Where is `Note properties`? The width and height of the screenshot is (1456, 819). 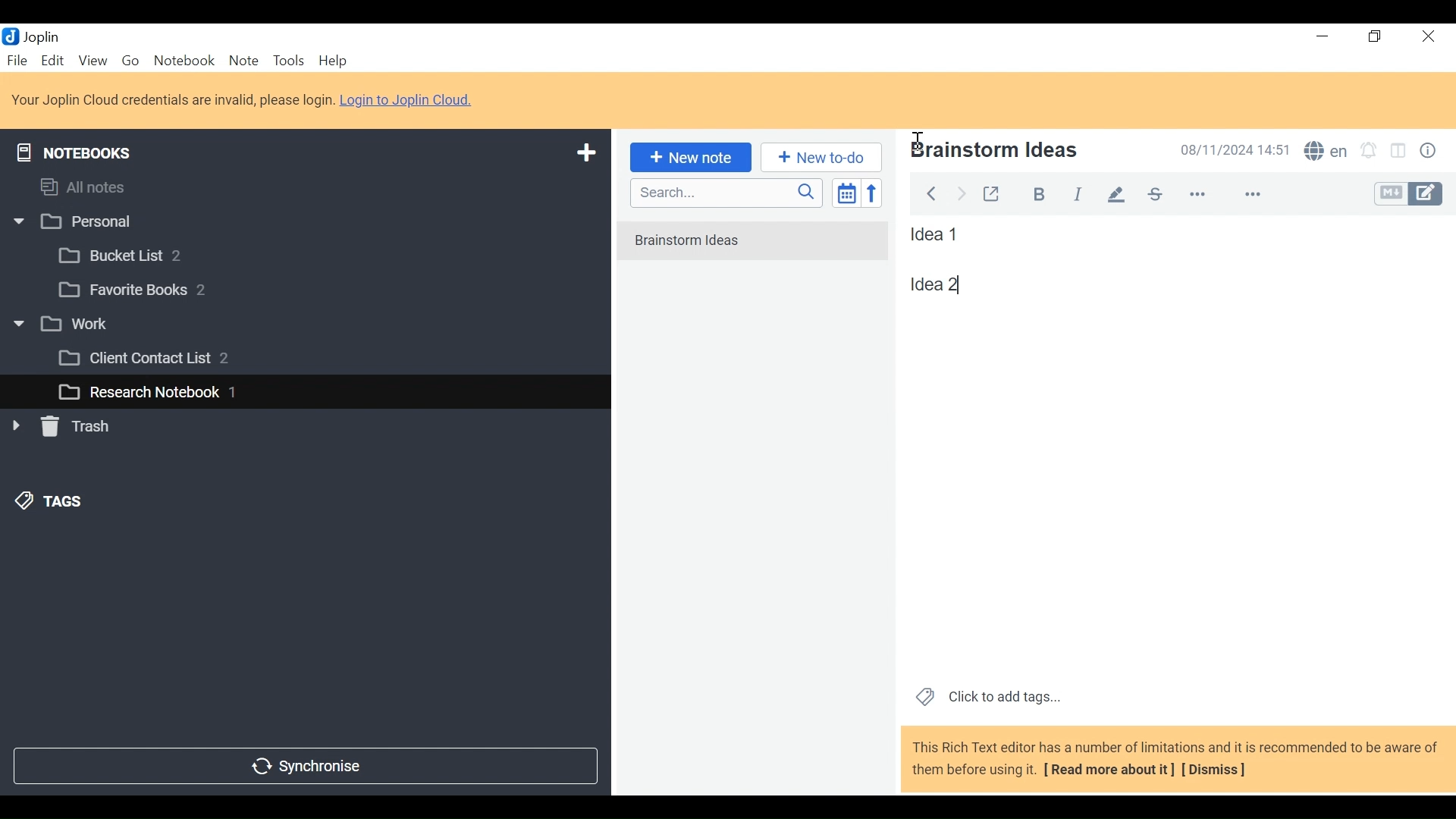
Note properties is located at coordinates (1431, 152).